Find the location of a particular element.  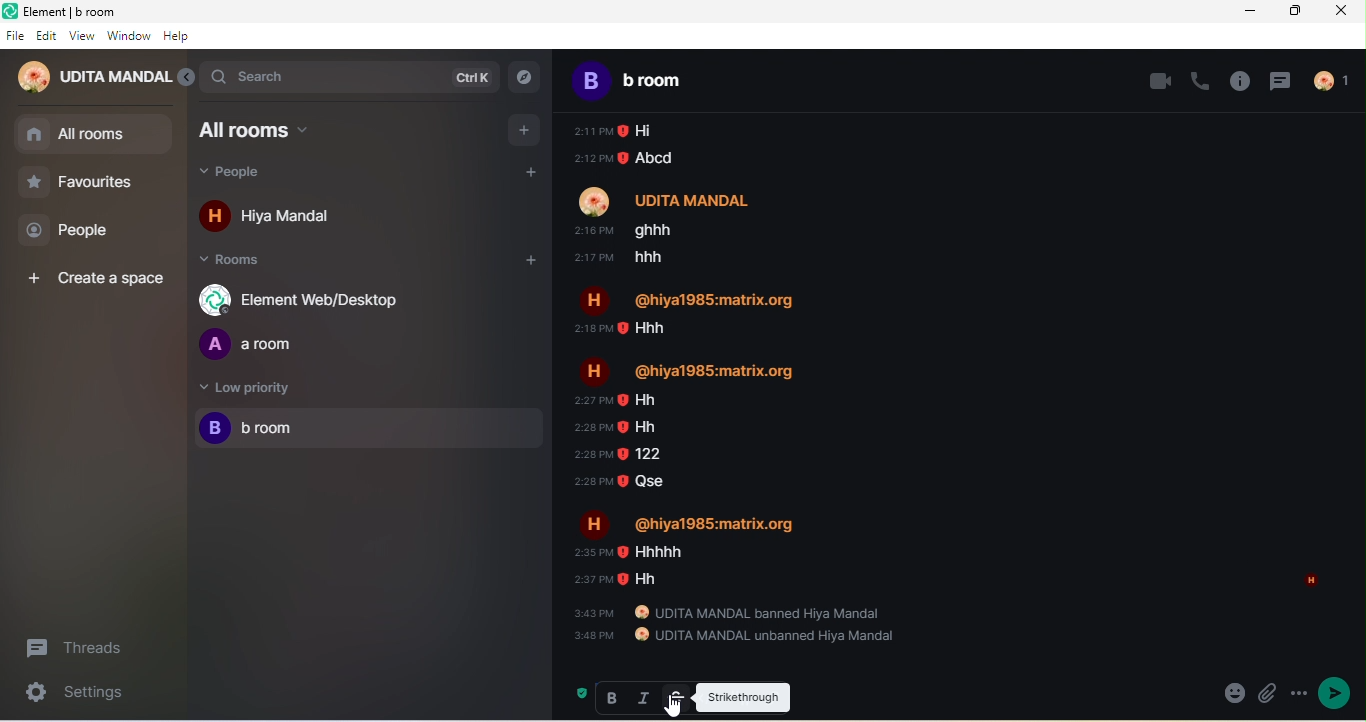

help is located at coordinates (179, 37).